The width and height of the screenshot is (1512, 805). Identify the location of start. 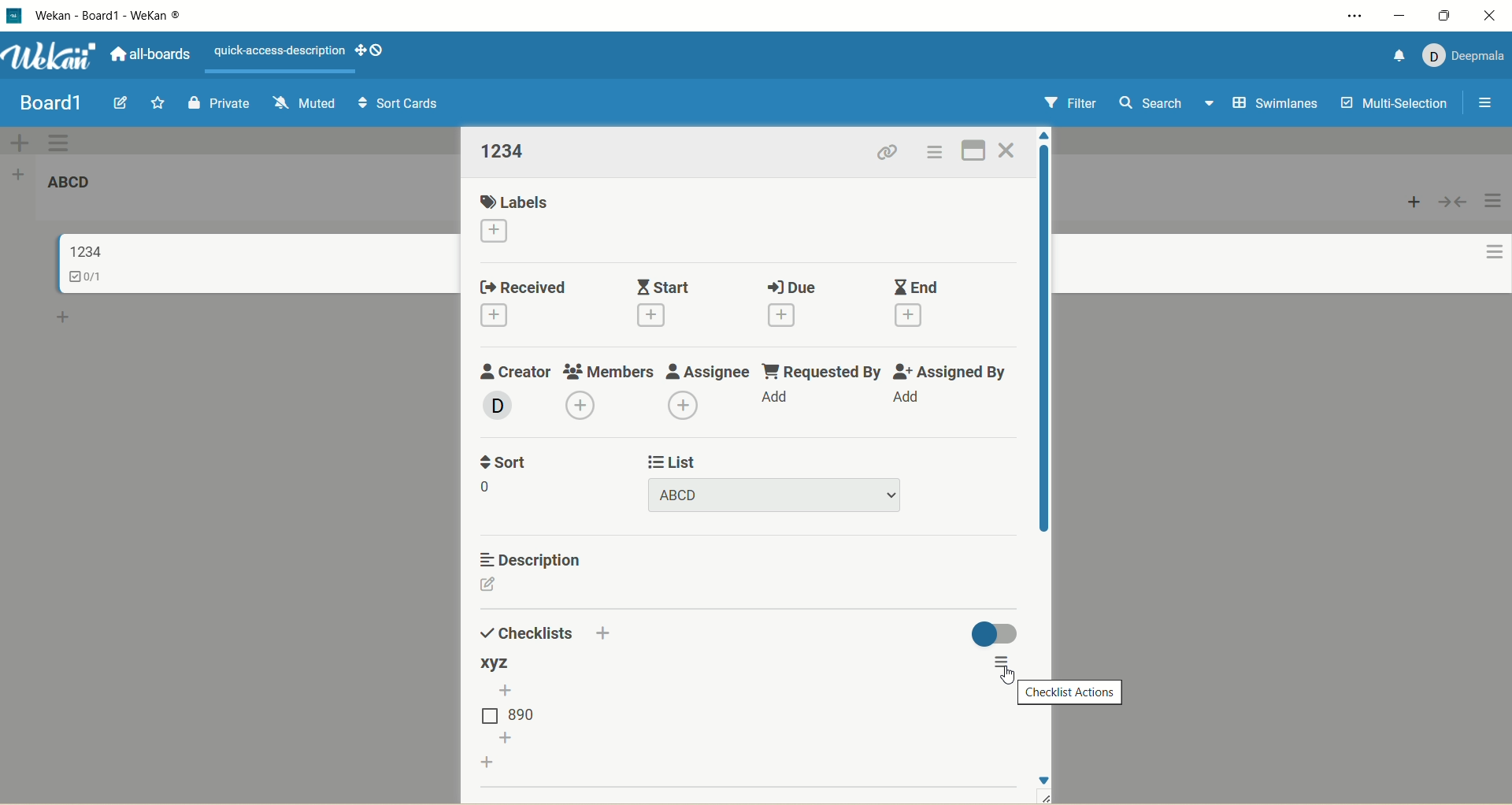
(661, 283).